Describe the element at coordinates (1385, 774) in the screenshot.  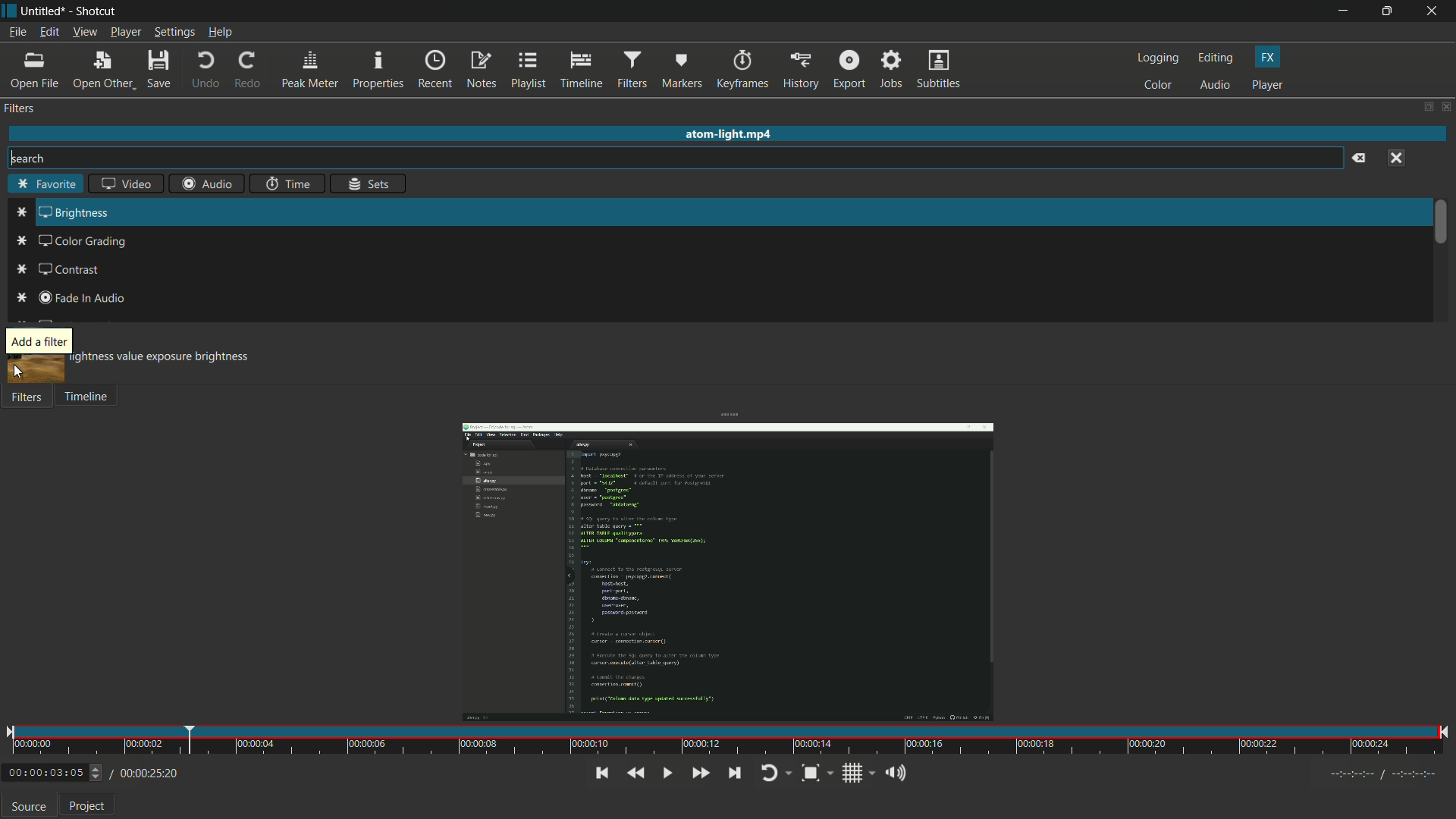
I see `time register` at that location.